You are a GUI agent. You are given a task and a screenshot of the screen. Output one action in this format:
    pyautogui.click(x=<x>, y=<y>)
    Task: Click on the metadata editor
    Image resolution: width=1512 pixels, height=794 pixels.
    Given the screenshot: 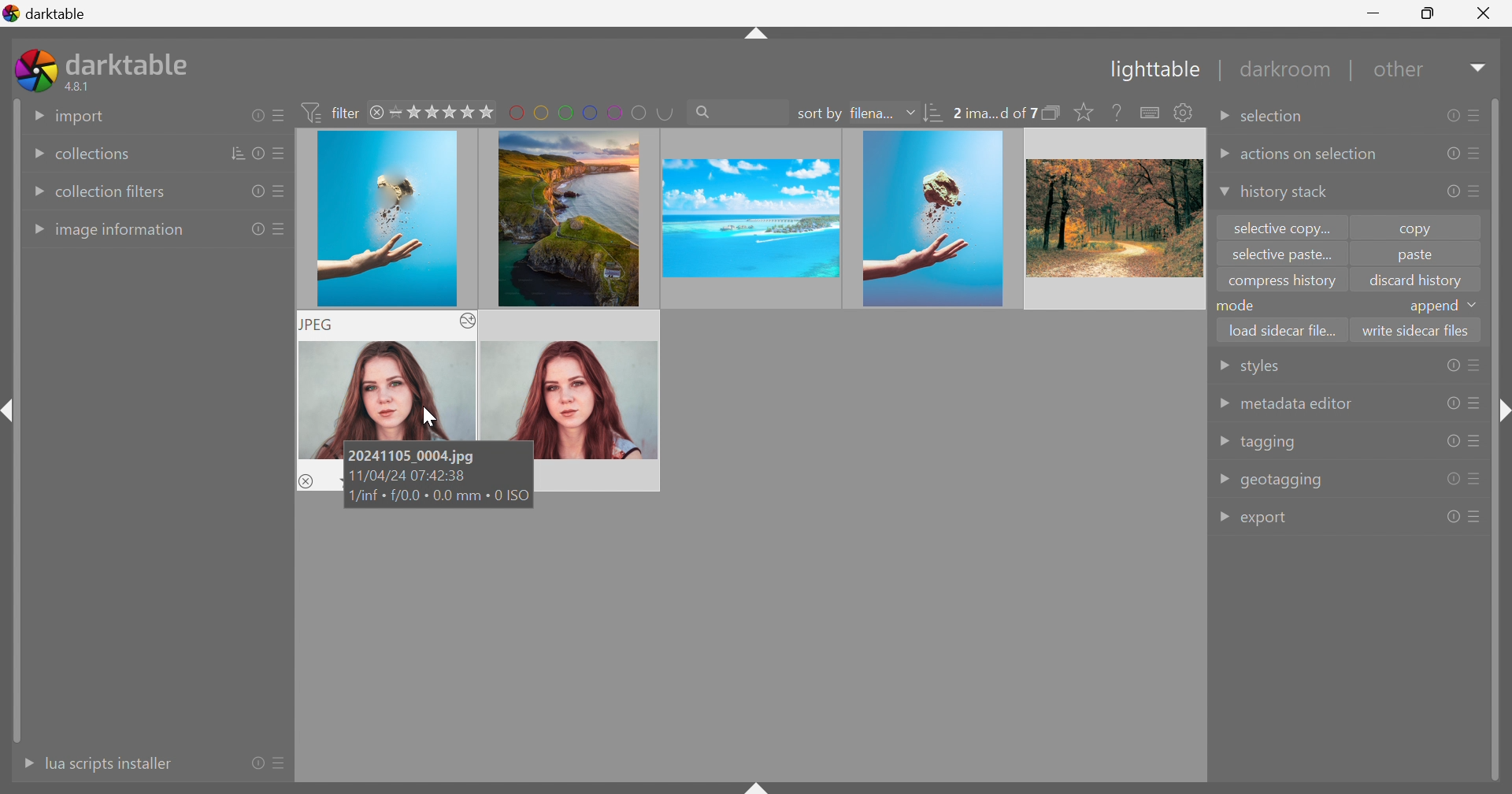 What is the action you would take?
    pyautogui.click(x=1295, y=404)
    